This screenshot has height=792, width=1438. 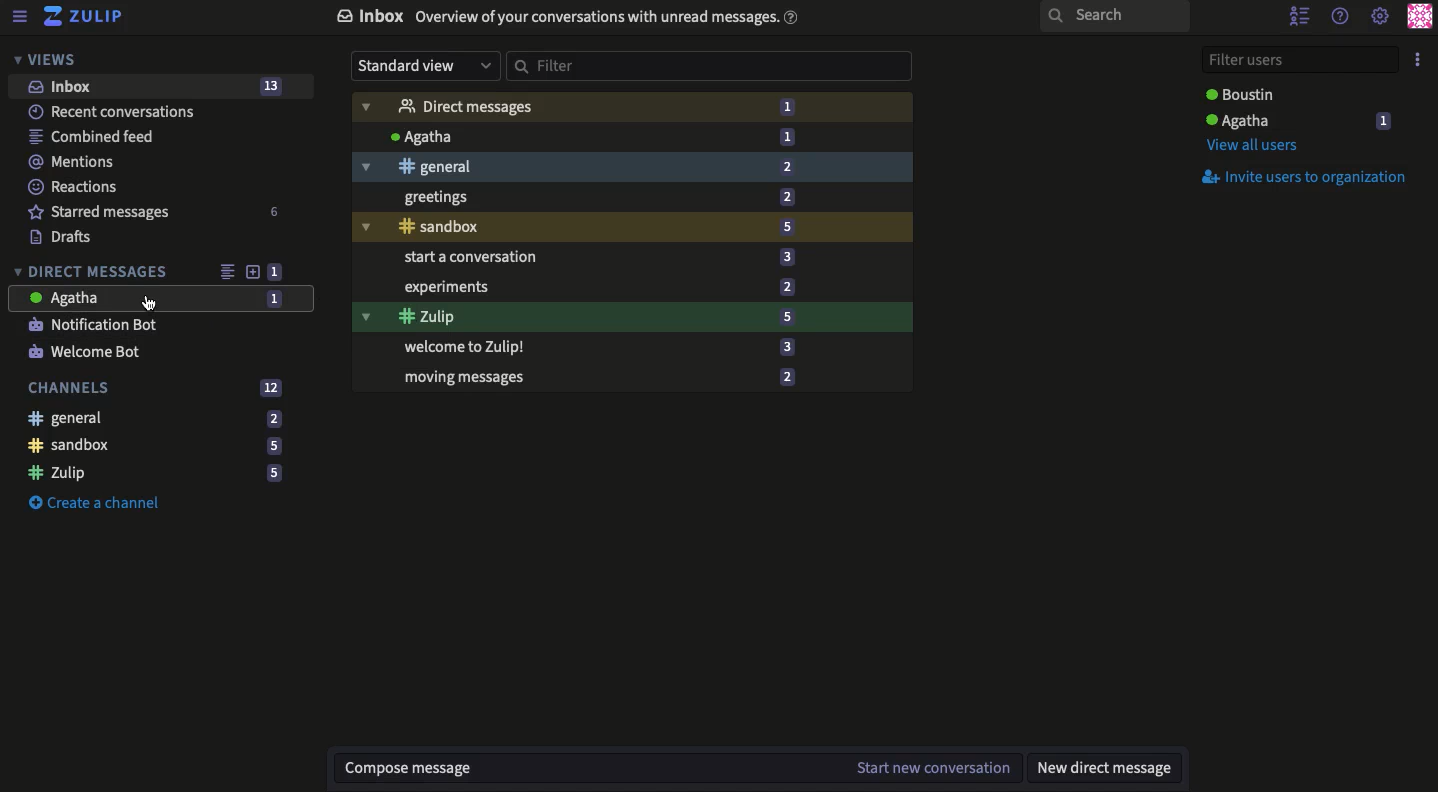 What do you see at coordinates (1419, 58) in the screenshot?
I see `More options` at bounding box center [1419, 58].